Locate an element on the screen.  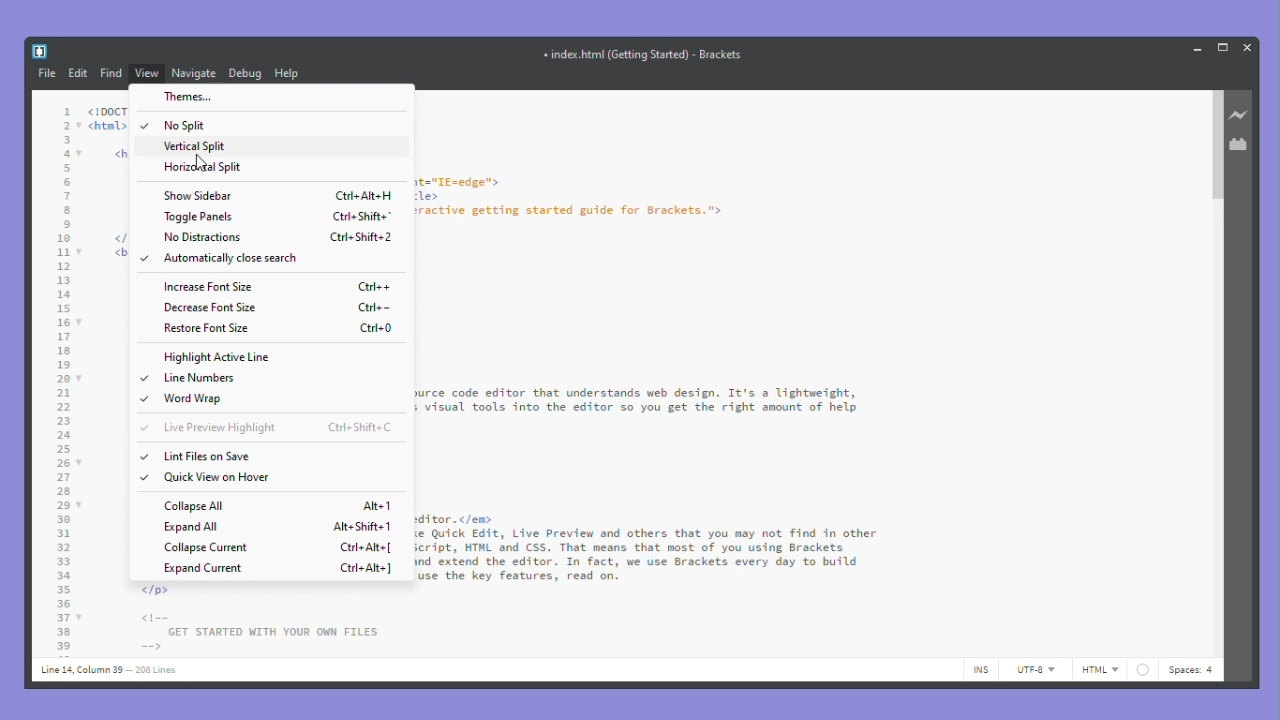
Expand all is located at coordinates (278, 525).